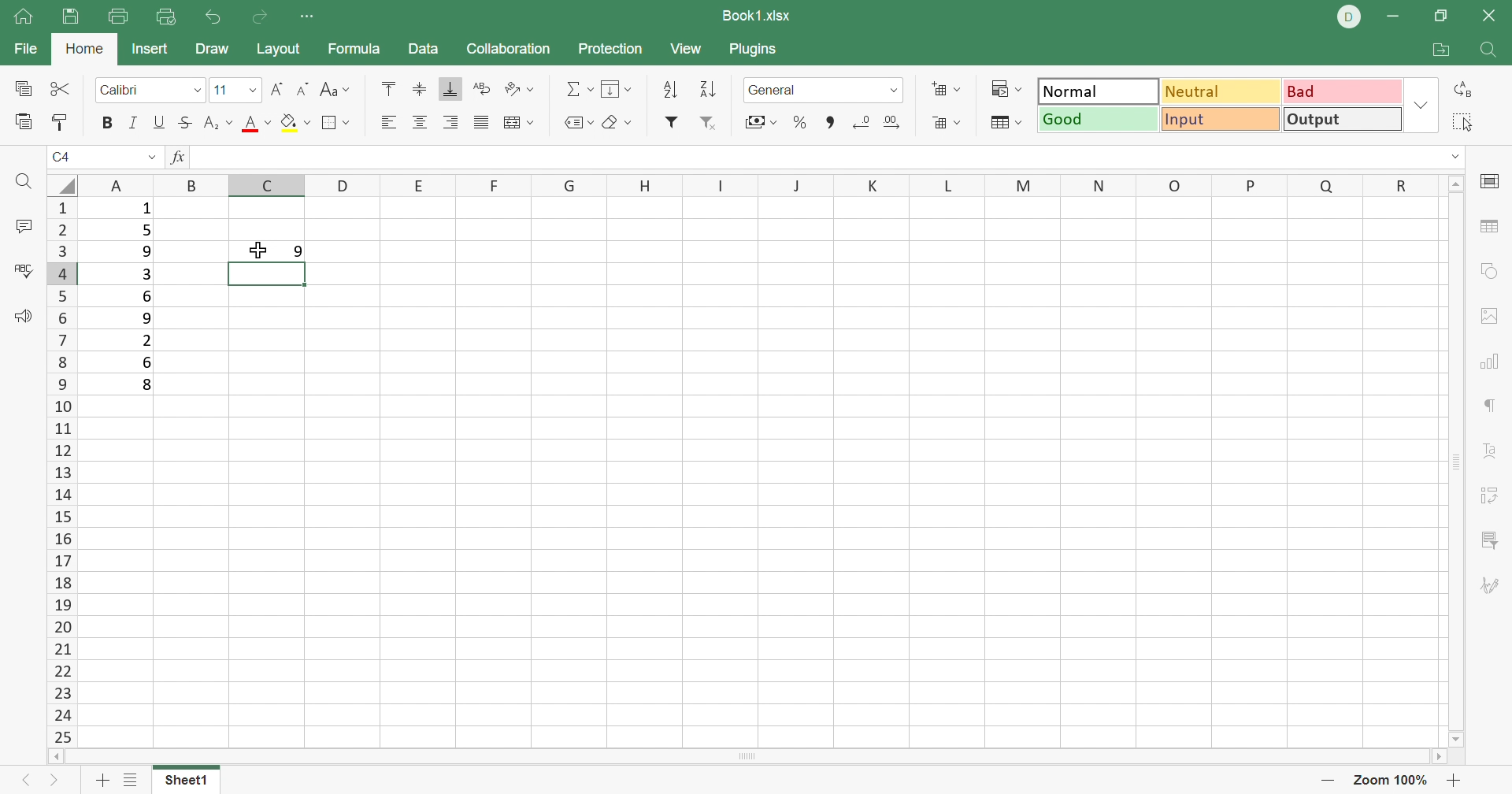 The height and width of the screenshot is (794, 1512). Describe the element at coordinates (139, 121) in the screenshot. I see `Italic` at that location.